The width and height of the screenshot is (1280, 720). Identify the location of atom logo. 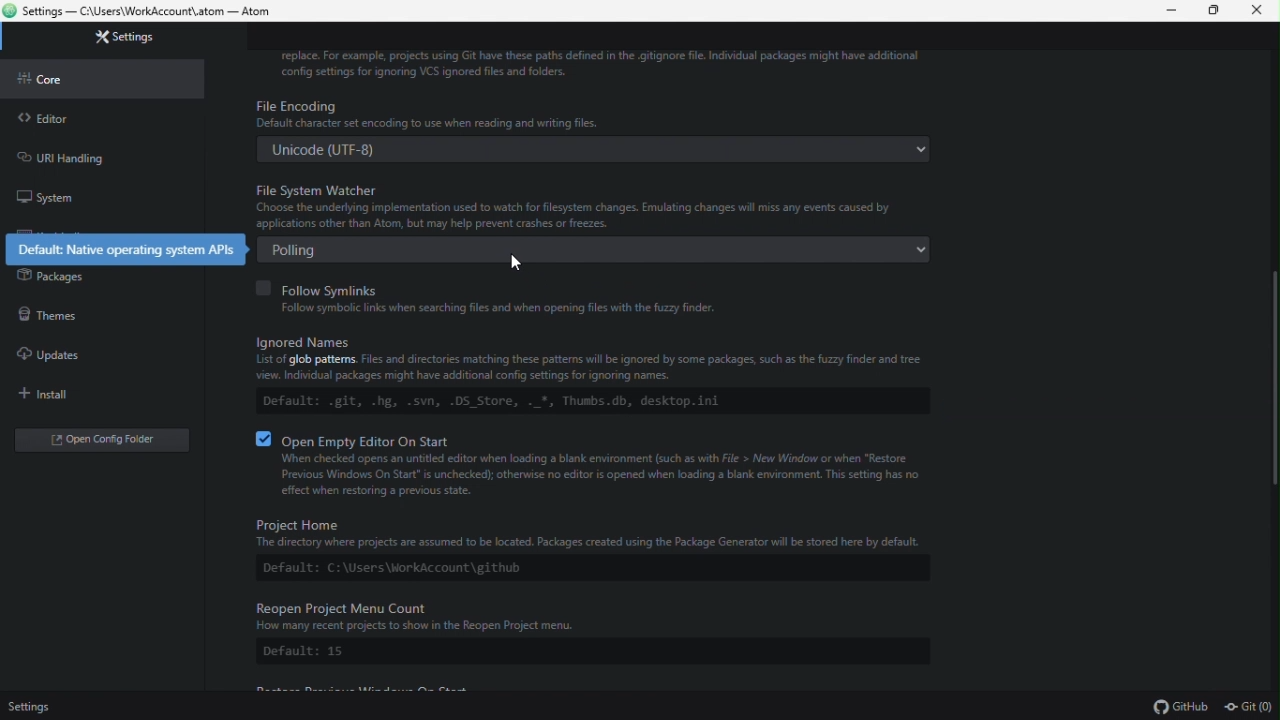
(11, 10).